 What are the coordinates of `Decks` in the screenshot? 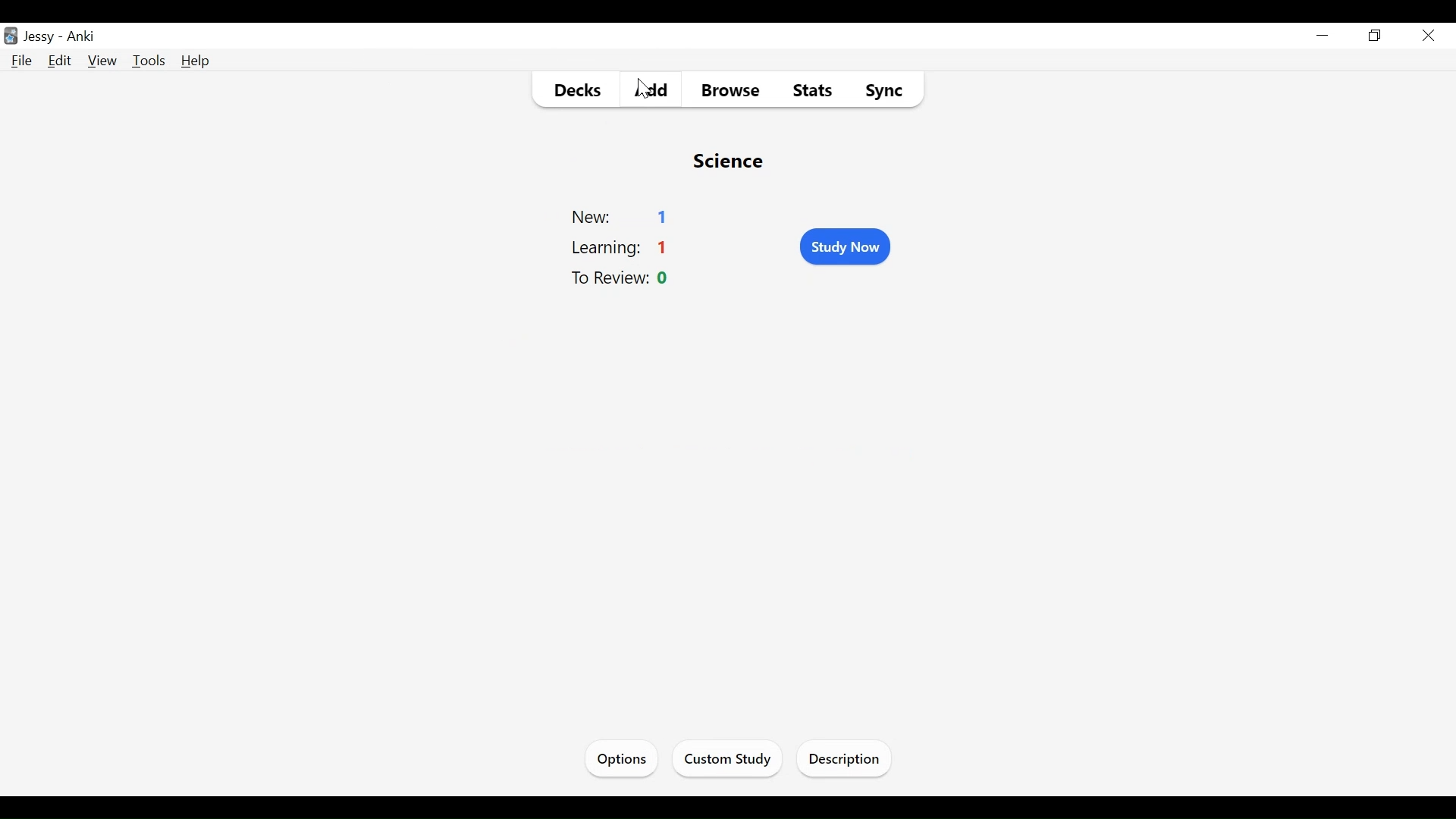 It's located at (579, 91).